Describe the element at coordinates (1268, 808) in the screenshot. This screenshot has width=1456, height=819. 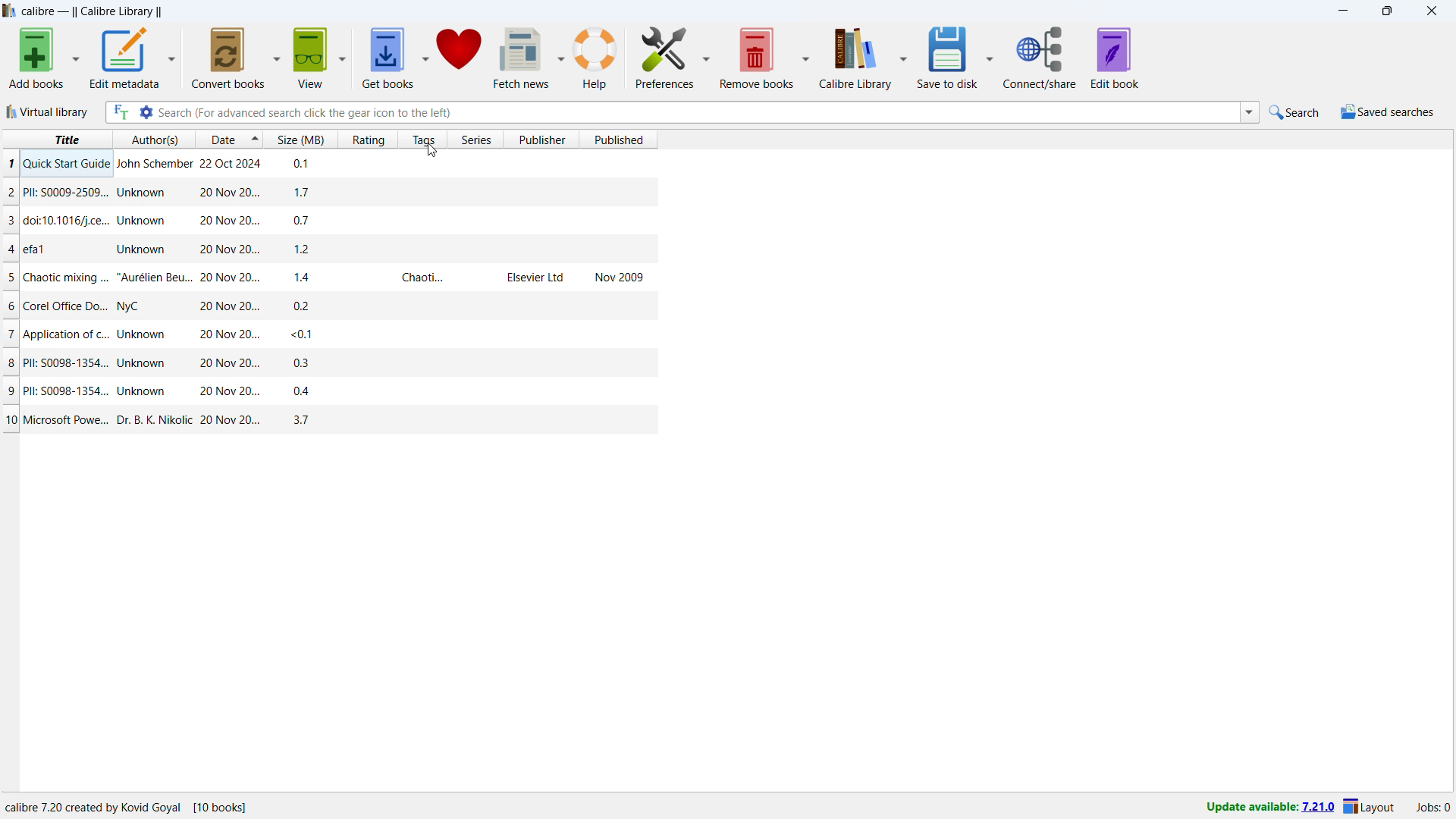
I see `update` at that location.